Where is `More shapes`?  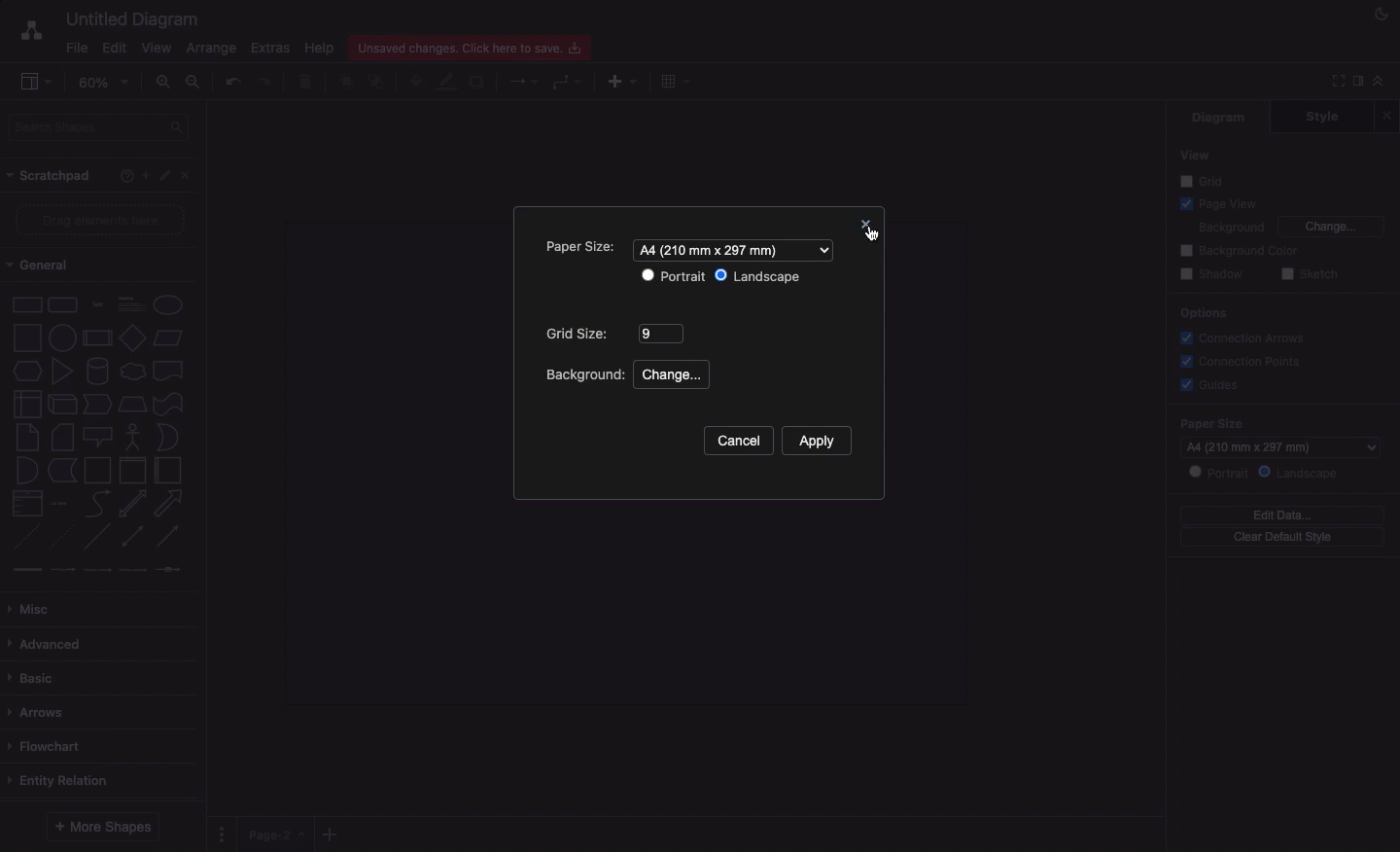 More shapes is located at coordinates (104, 828).